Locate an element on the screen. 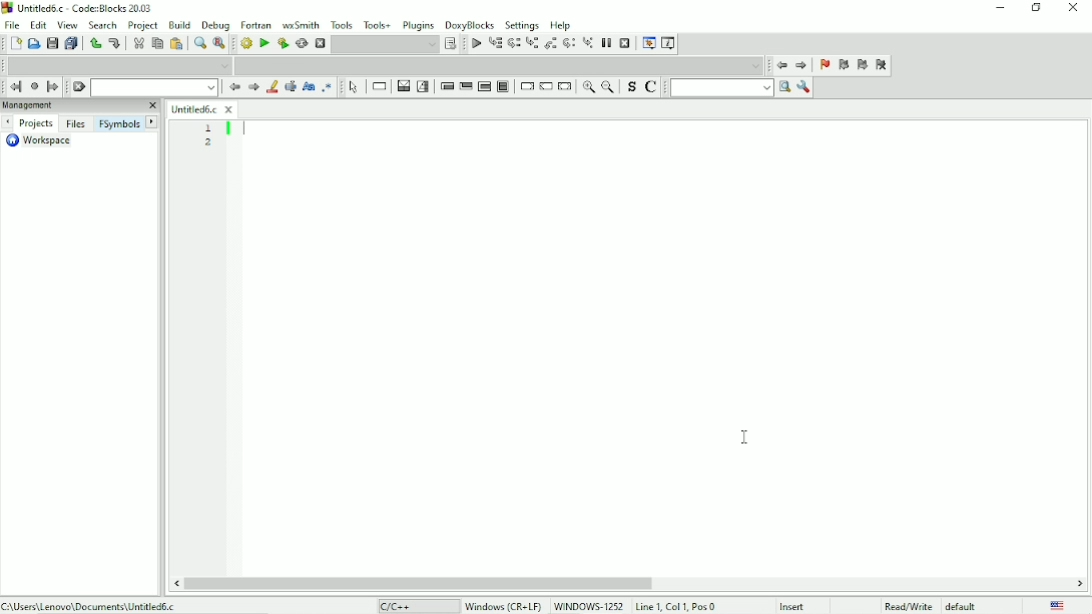 This screenshot has height=614, width=1092. Save everything is located at coordinates (72, 43).